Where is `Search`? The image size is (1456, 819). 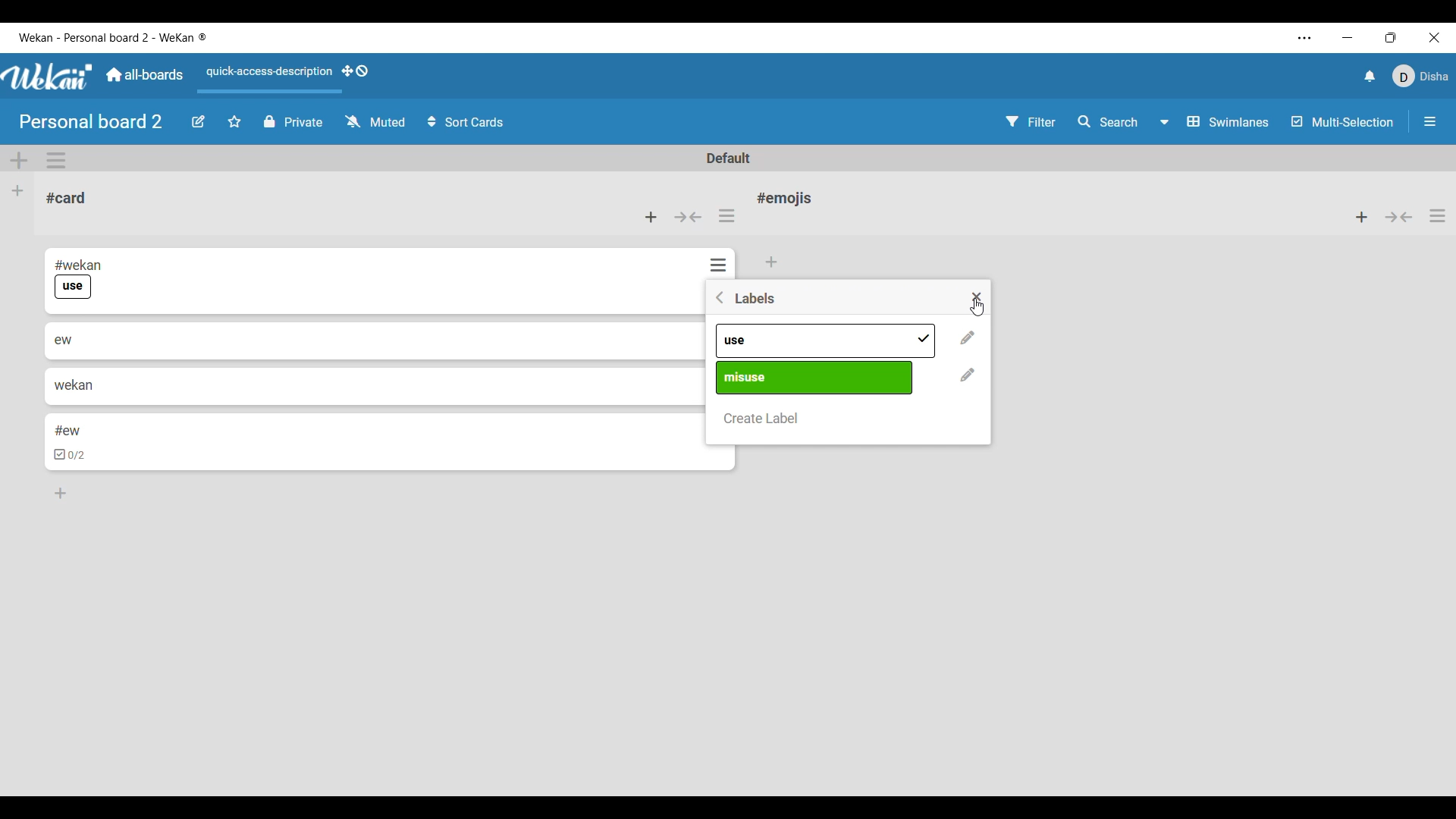
Search is located at coordinates (1106, 121).